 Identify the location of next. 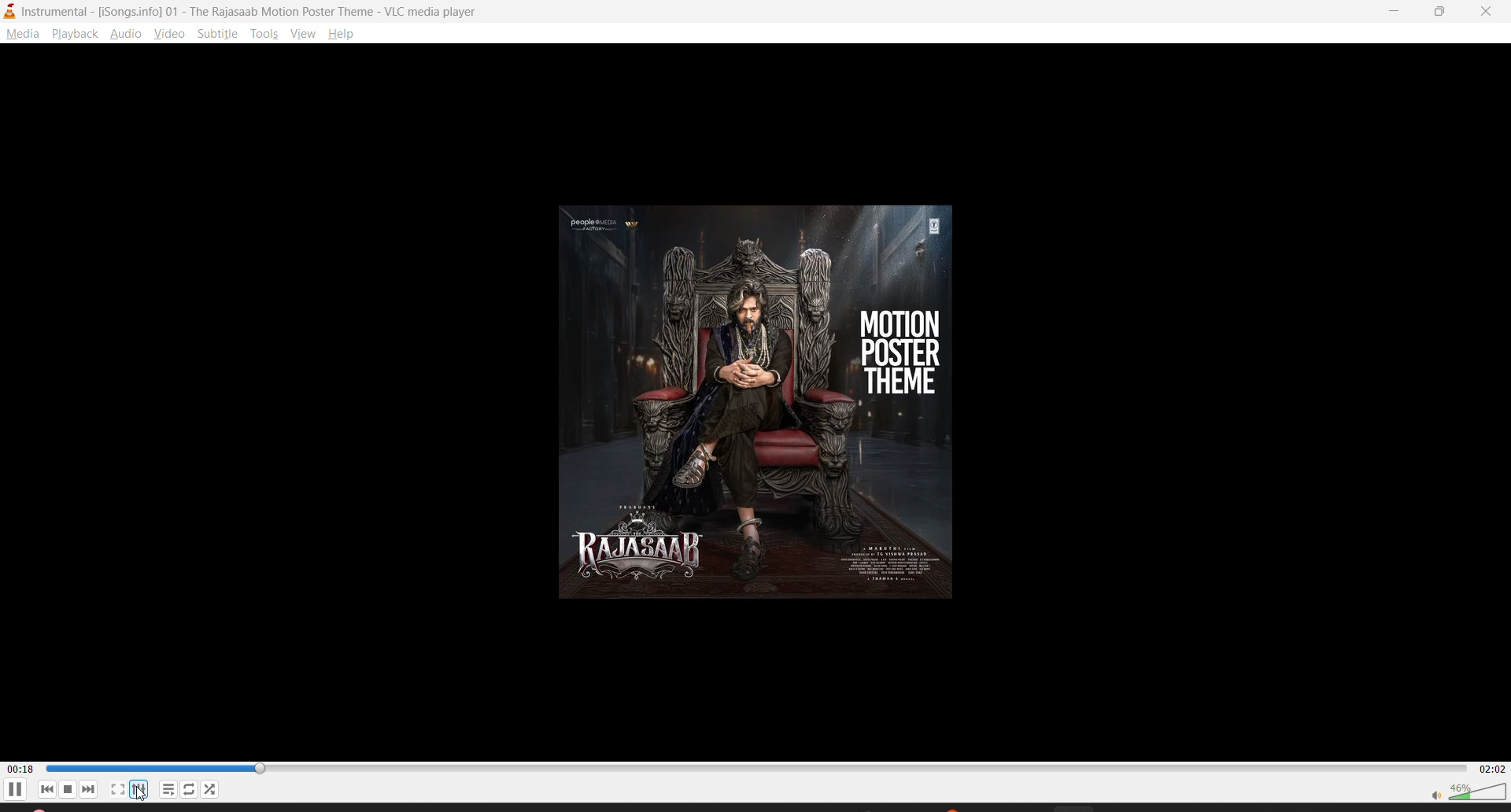
(92, 790).